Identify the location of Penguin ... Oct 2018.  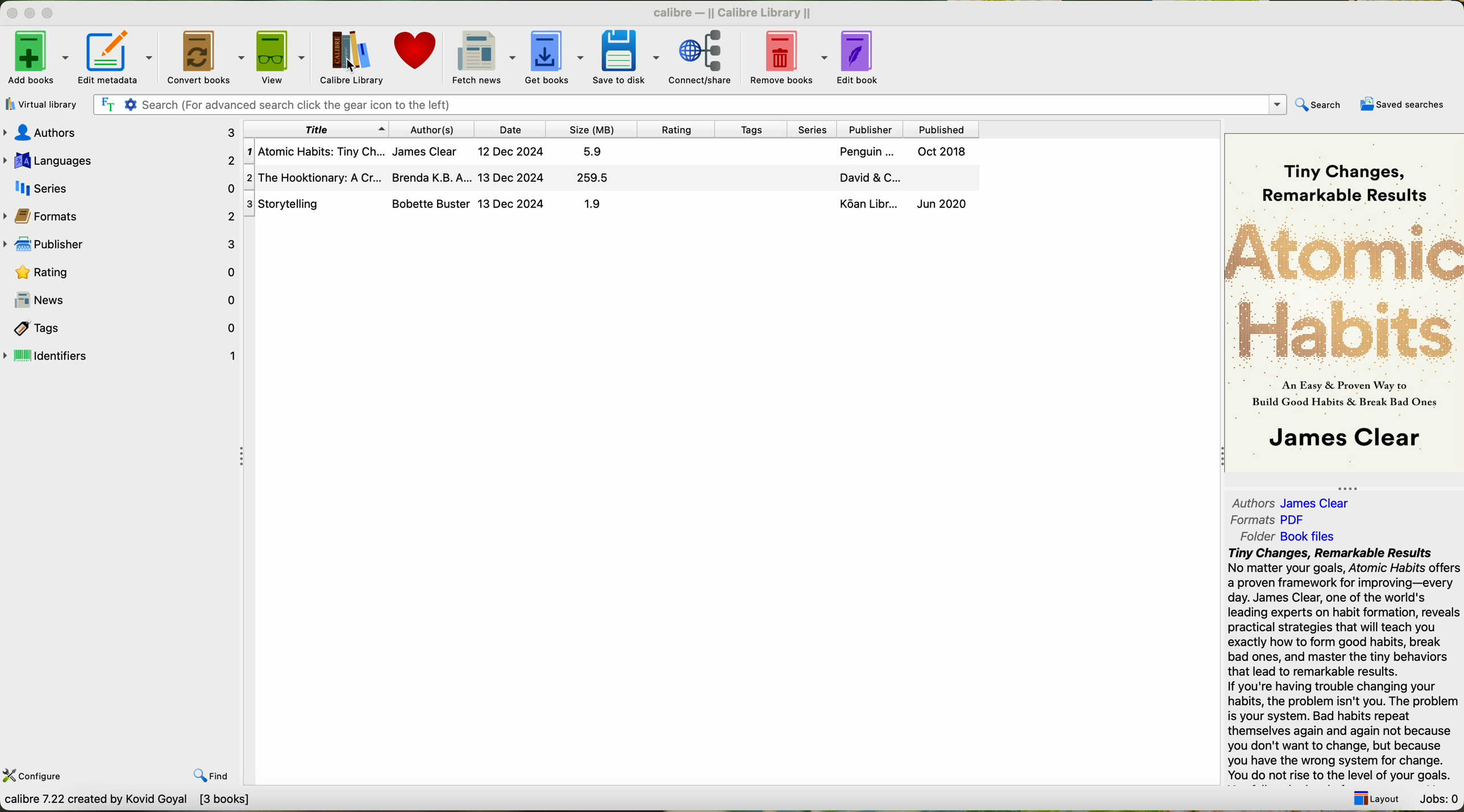
(902, 153).